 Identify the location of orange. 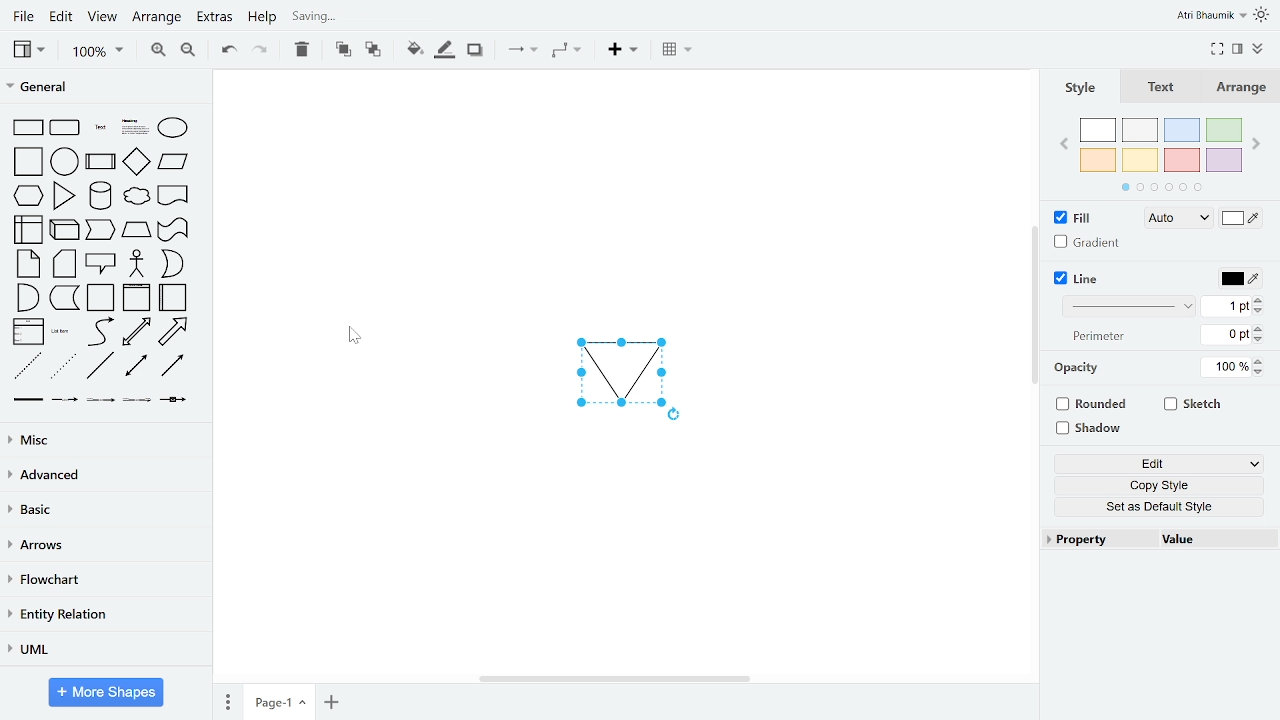
(1098, 159).